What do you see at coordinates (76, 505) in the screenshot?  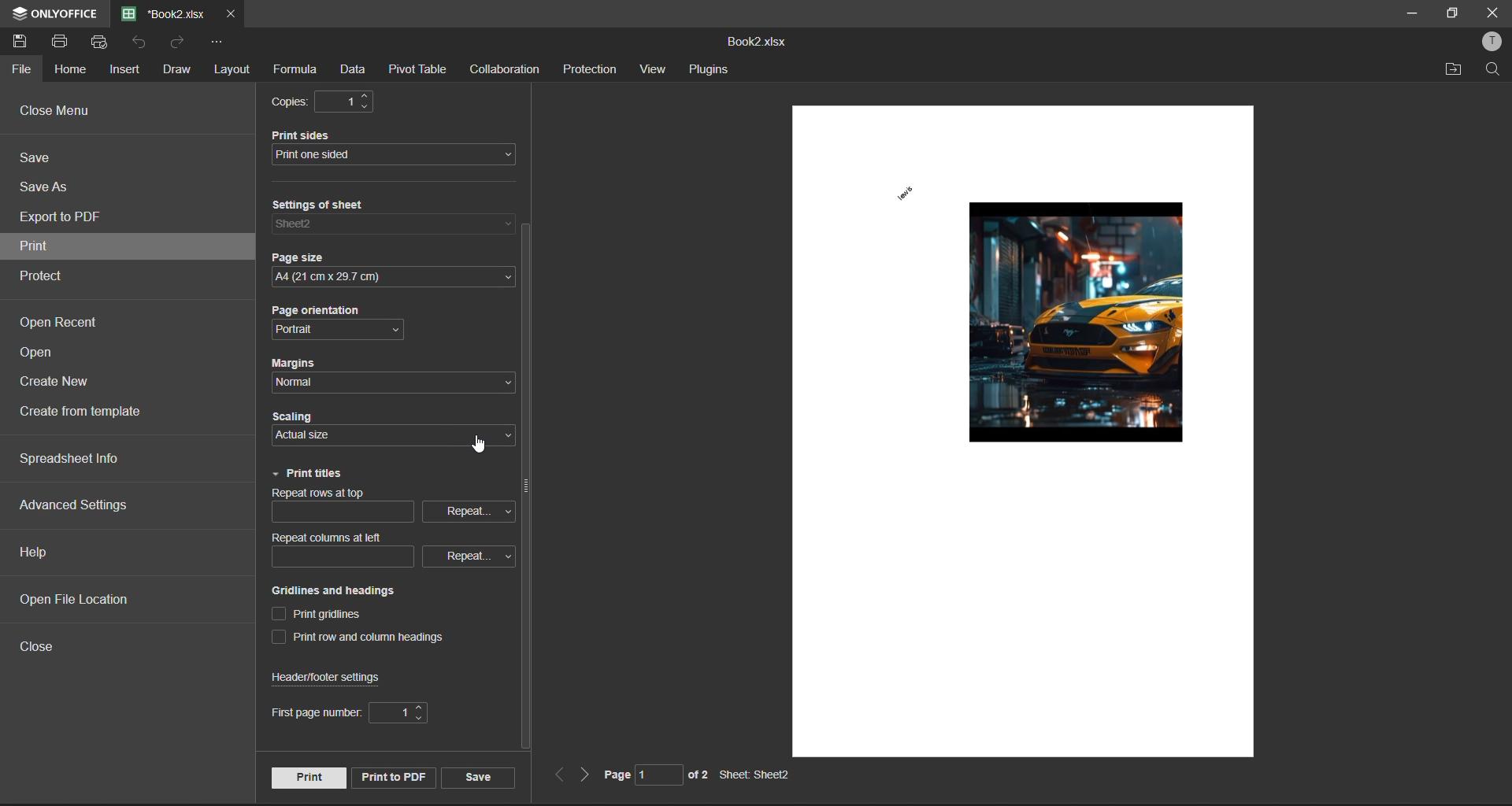 I see `advanced settings` at bounding box center [76, 505].